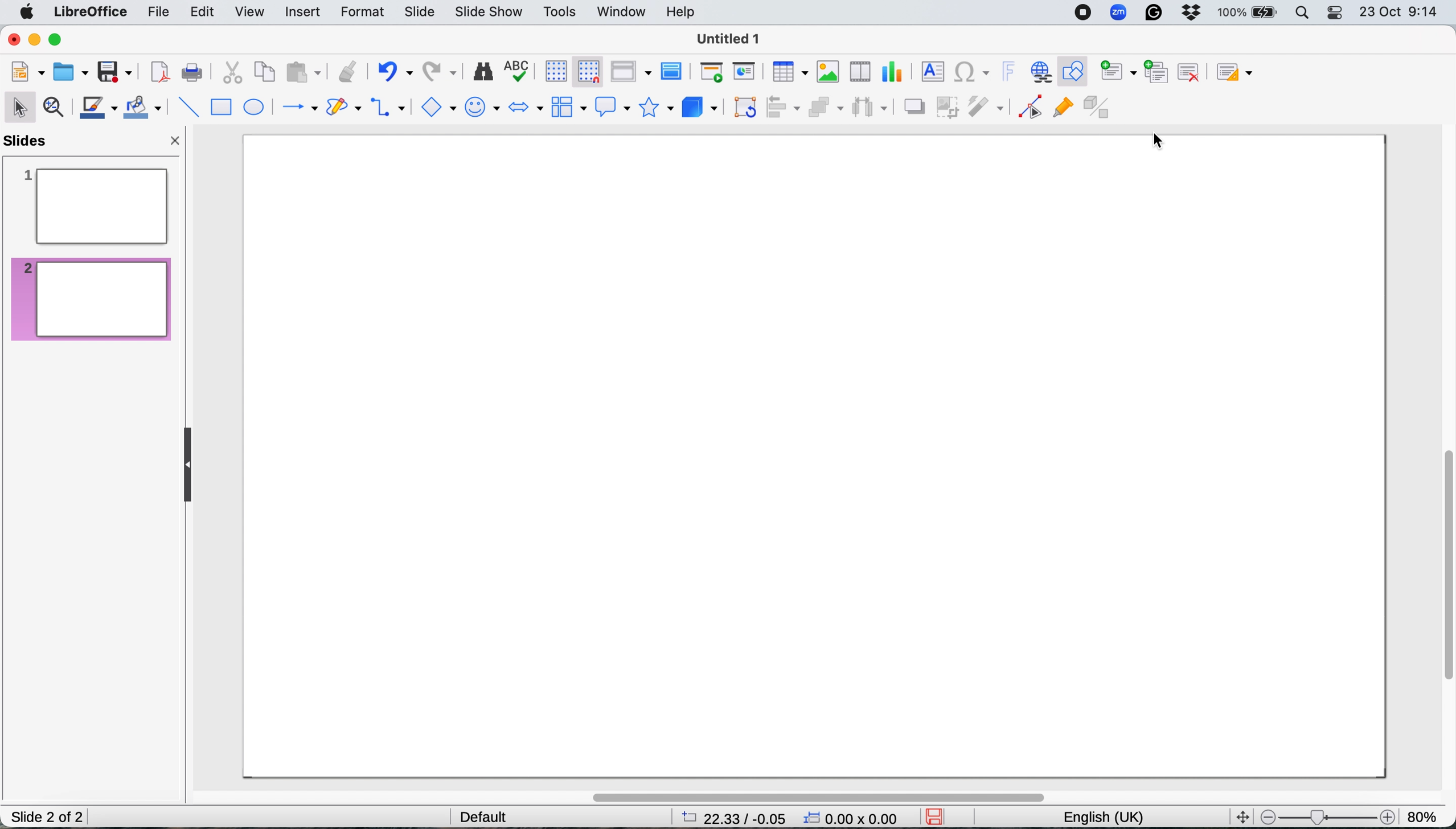 Image resolution: width=1456 pixels, height=829 pixels. I want to click on insert table, so click(790, 73).